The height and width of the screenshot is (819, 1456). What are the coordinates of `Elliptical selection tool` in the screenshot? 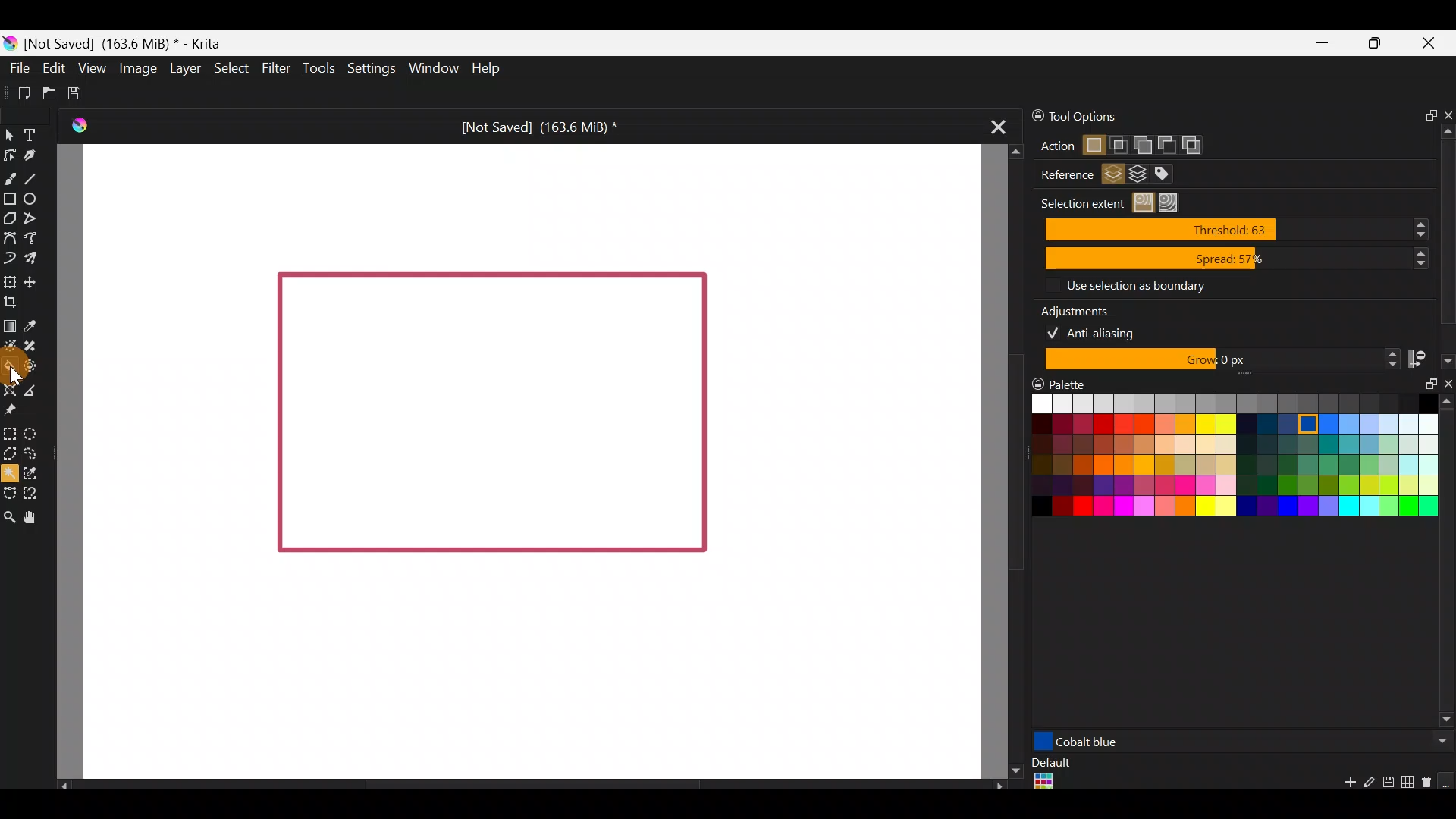 It's located at (33, 433).